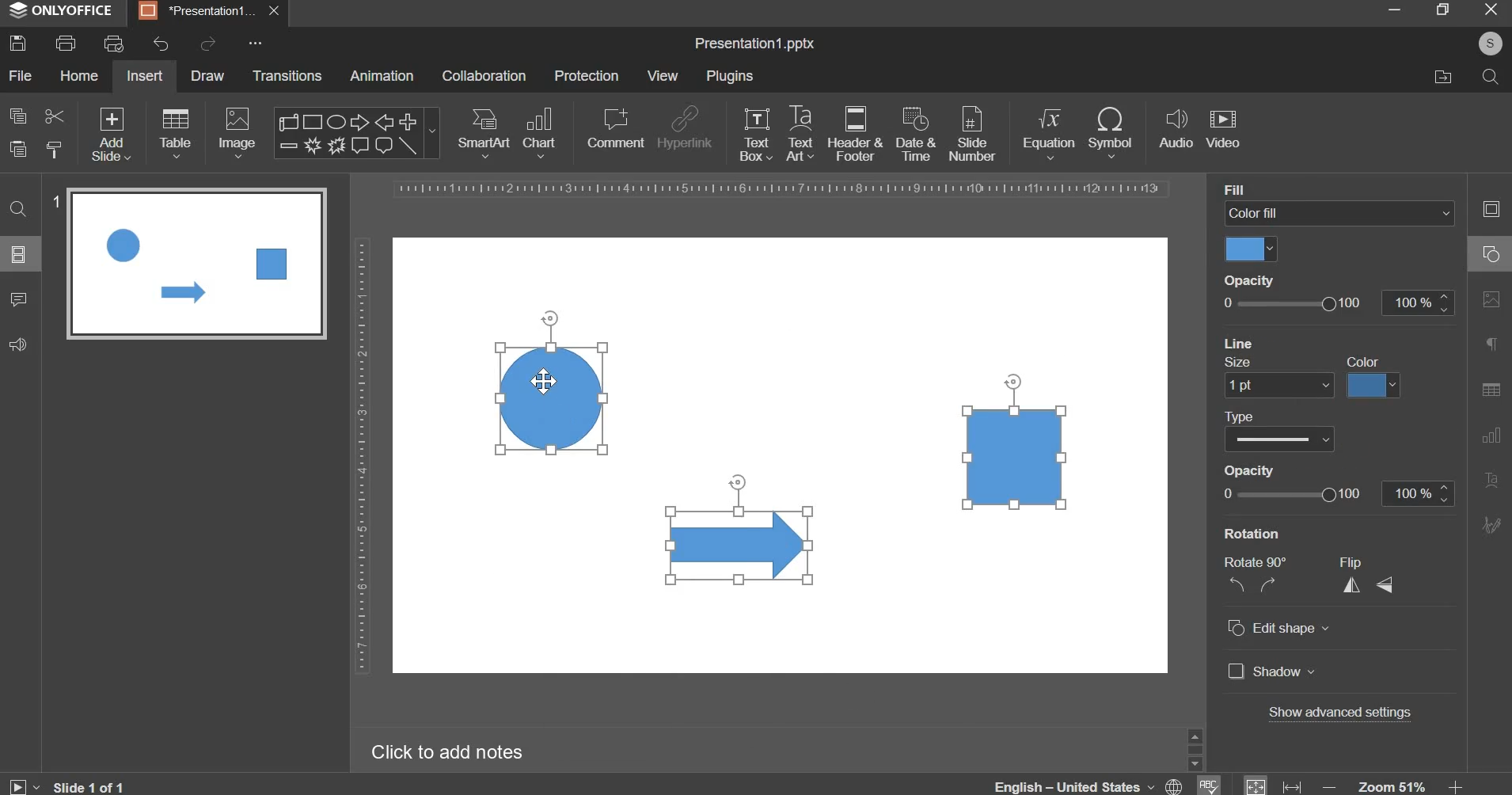  I want to click on rotate, so click(555, 315).